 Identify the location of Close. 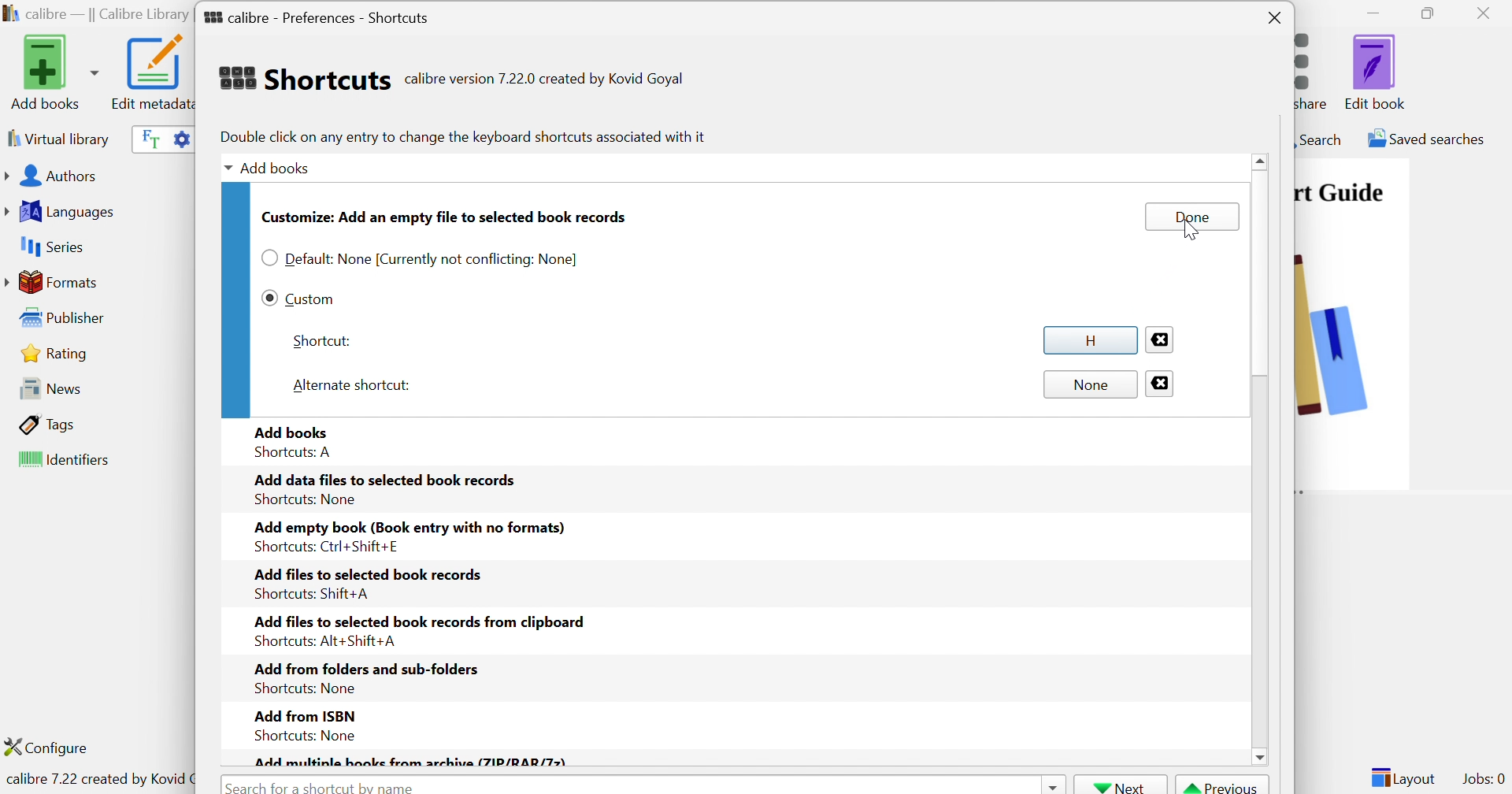
(1488, 13).